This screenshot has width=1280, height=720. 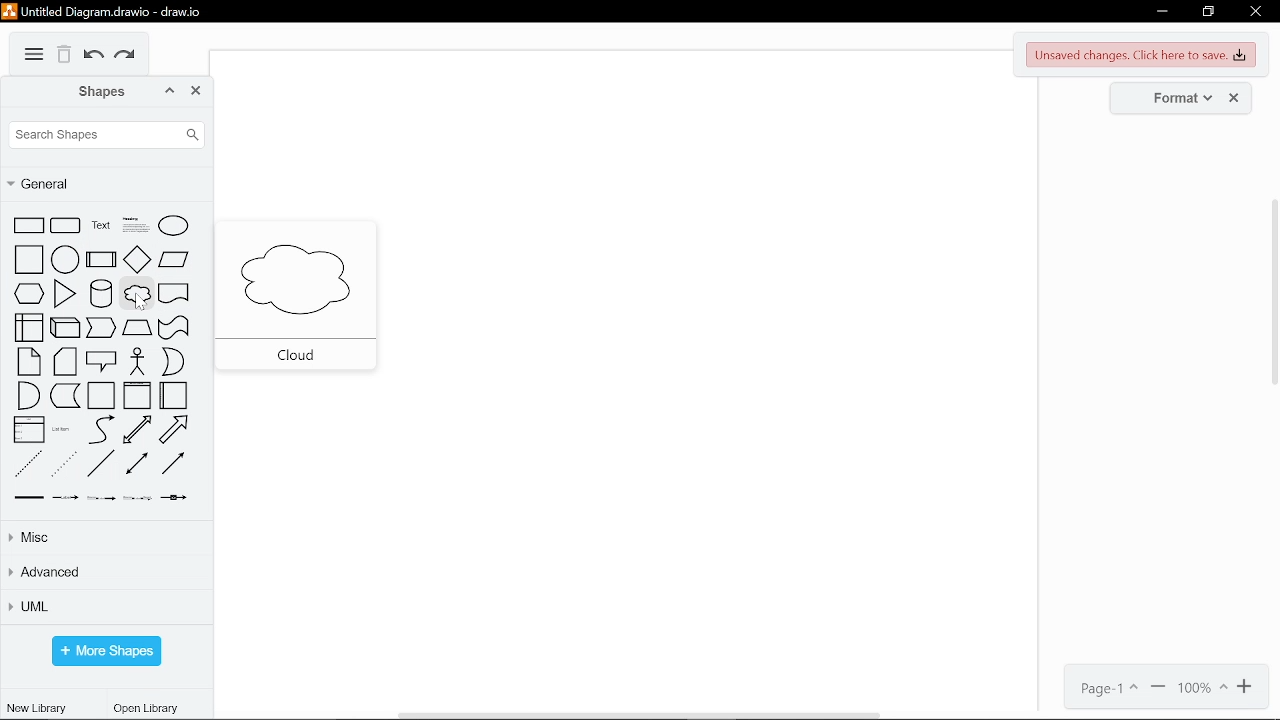 I want to click on current zoom, so click(x=1202, y=689).